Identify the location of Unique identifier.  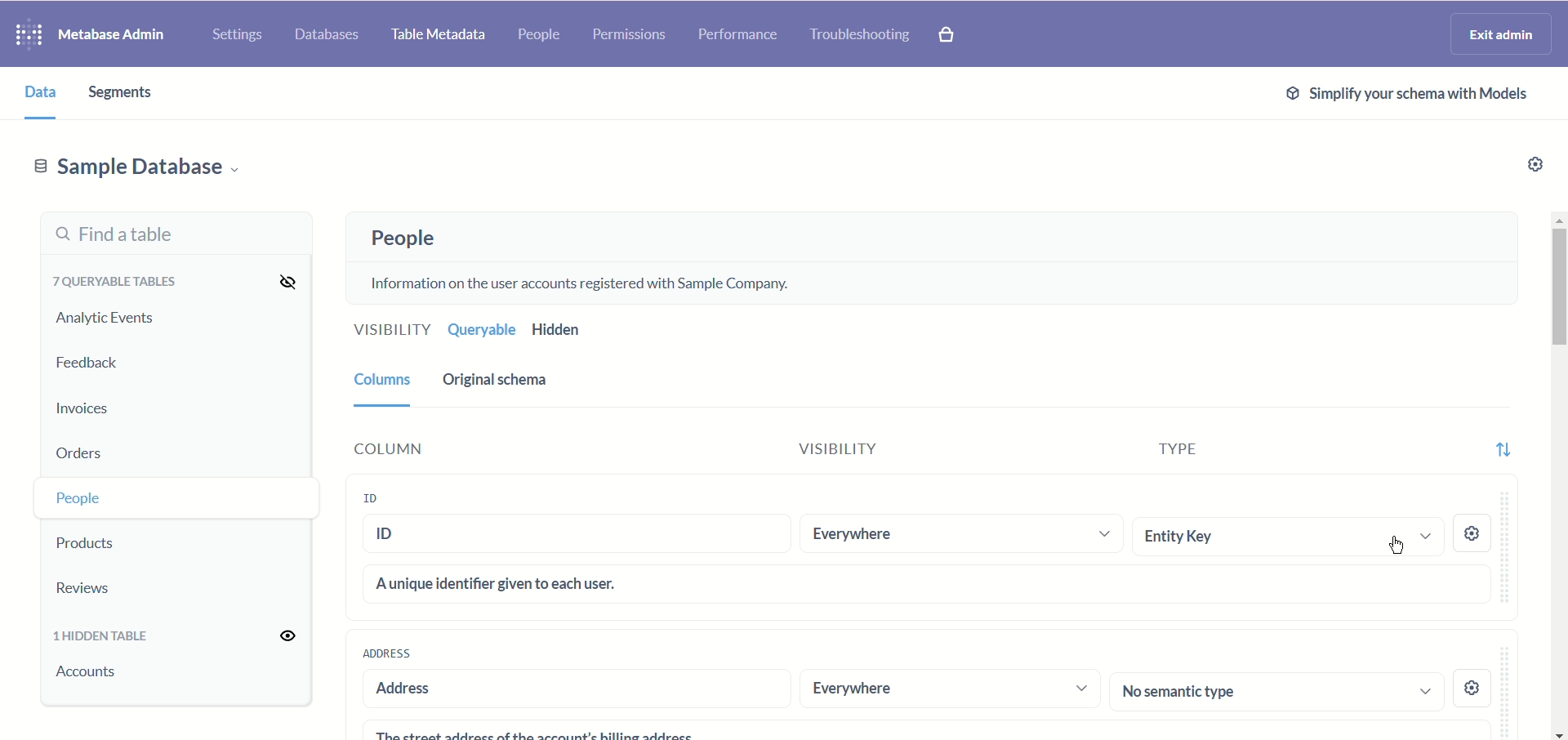
(928, 583).